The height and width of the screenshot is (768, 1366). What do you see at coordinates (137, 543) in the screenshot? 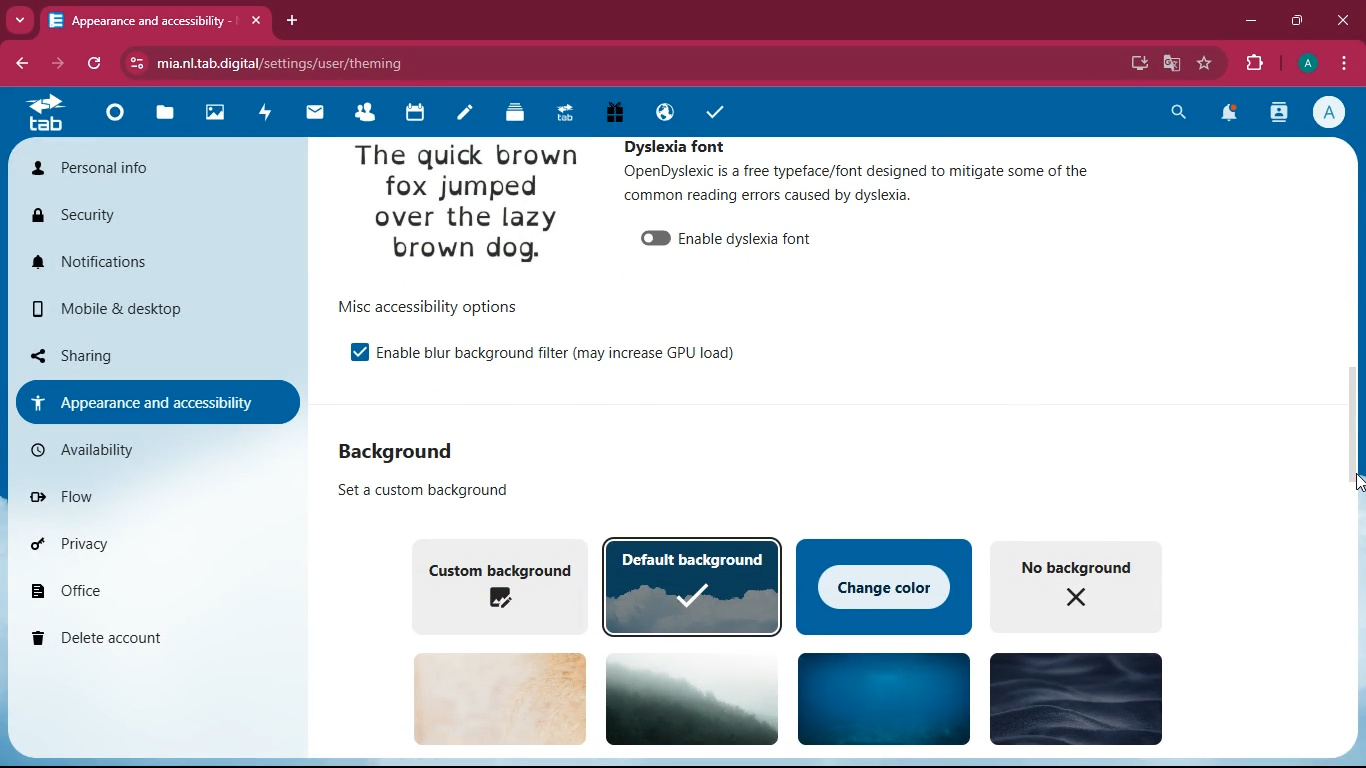
I see `privacy` at bounding box center [137, 543].